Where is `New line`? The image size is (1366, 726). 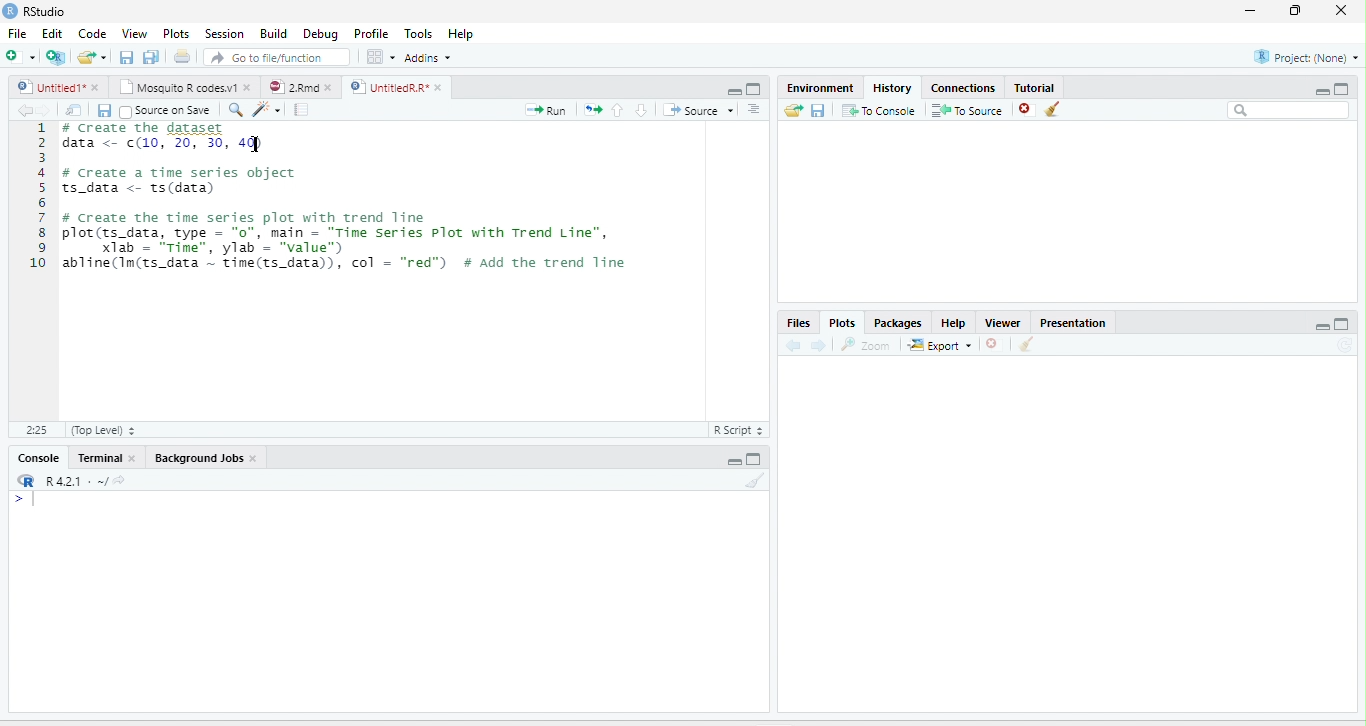
New line is located at coordinates (25, 500).